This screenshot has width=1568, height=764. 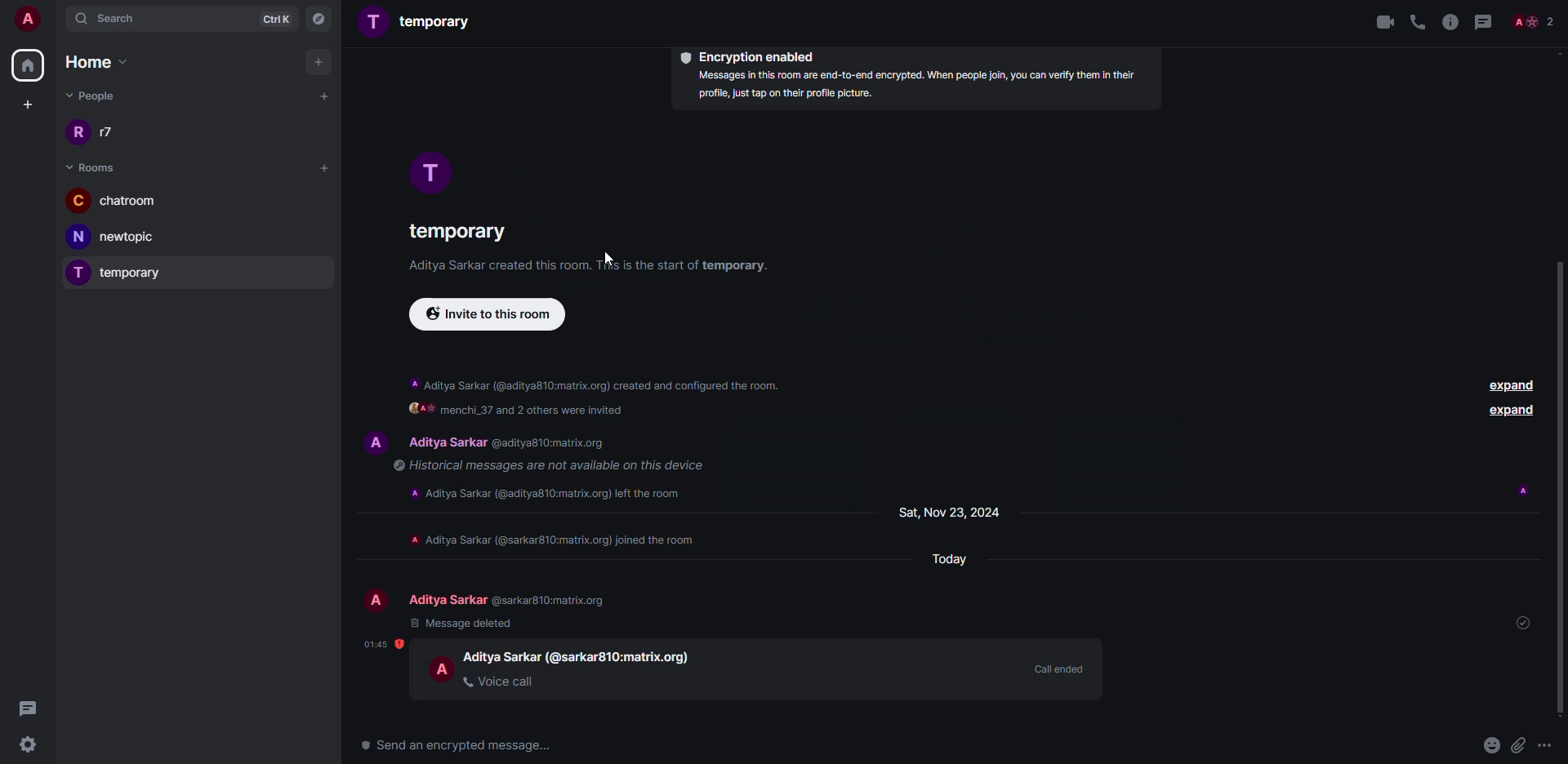 I want to click on info, so click(x=540, y=494).